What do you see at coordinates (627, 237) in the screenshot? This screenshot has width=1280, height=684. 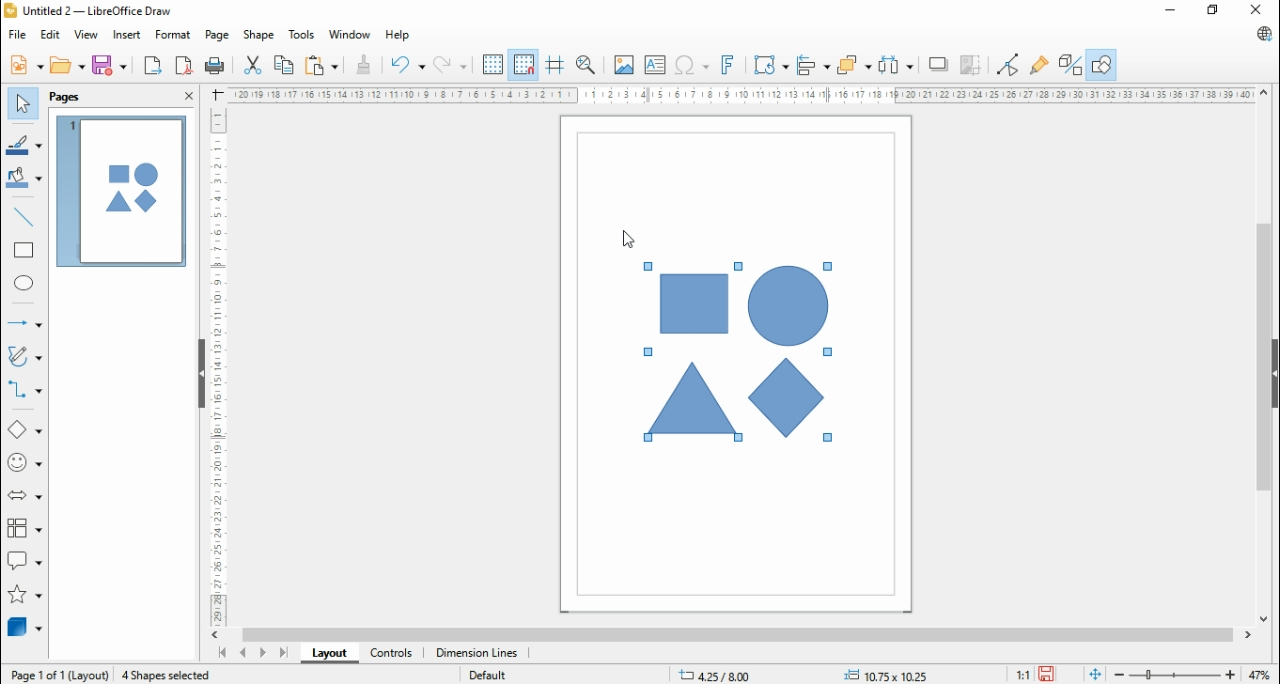 I see `mouse pointer` at bounding box center [627, 237].